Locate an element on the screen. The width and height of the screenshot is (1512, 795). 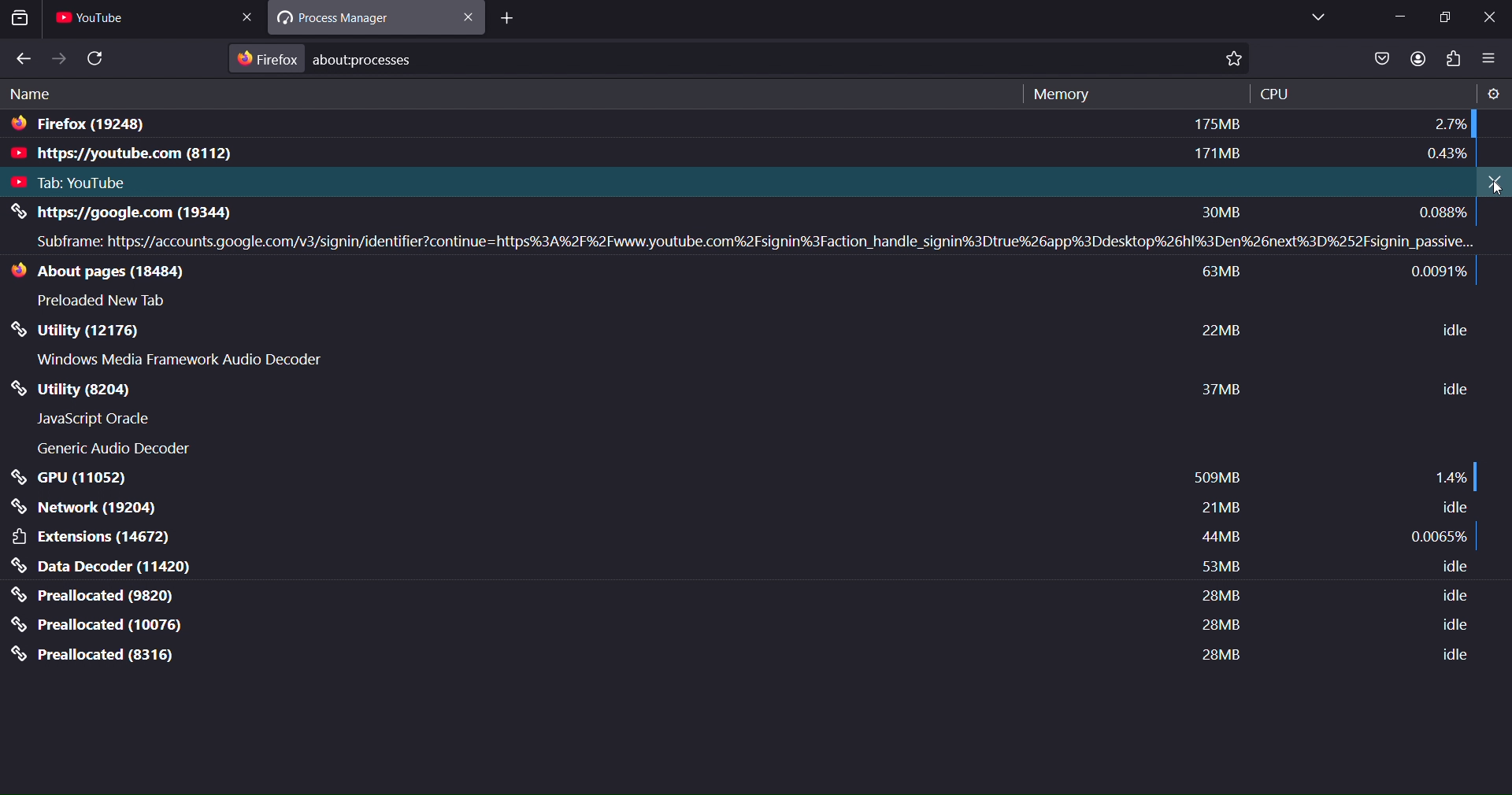
0.0091% is located at coordinates (1445, 273).